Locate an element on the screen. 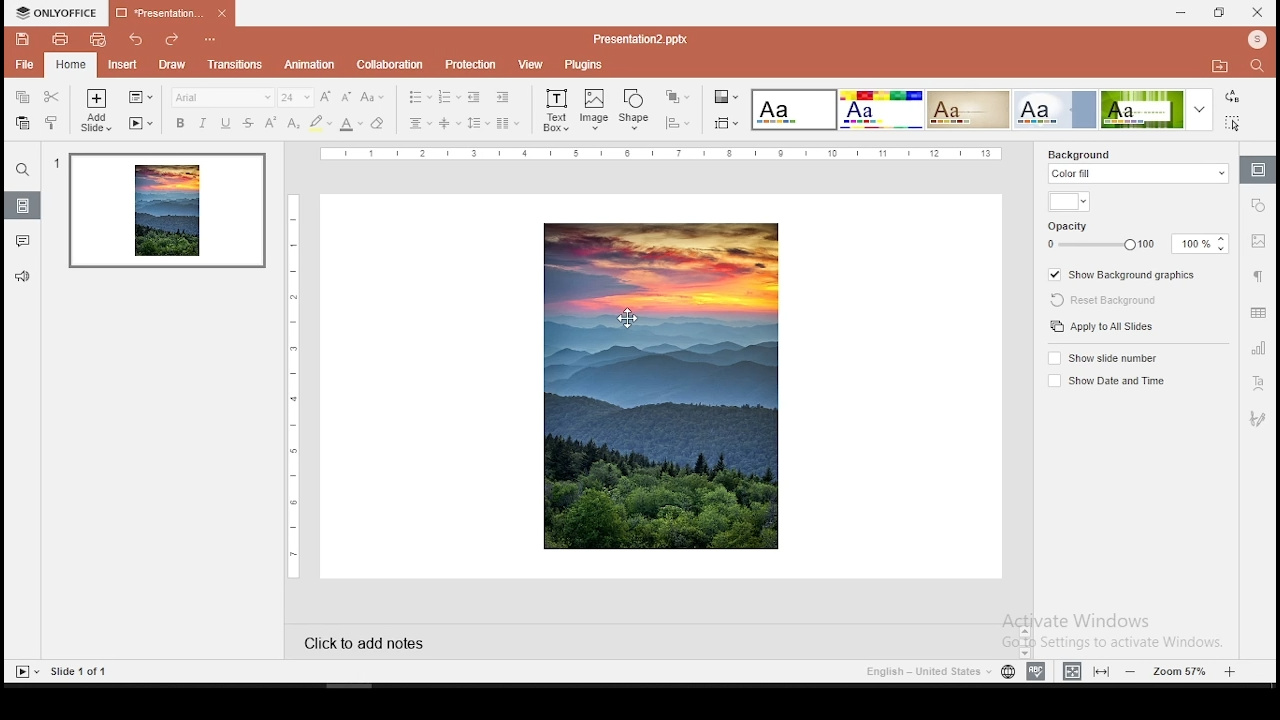 This screenshot has width=1280, height=720. superscript is located at coordinates (270, 122).